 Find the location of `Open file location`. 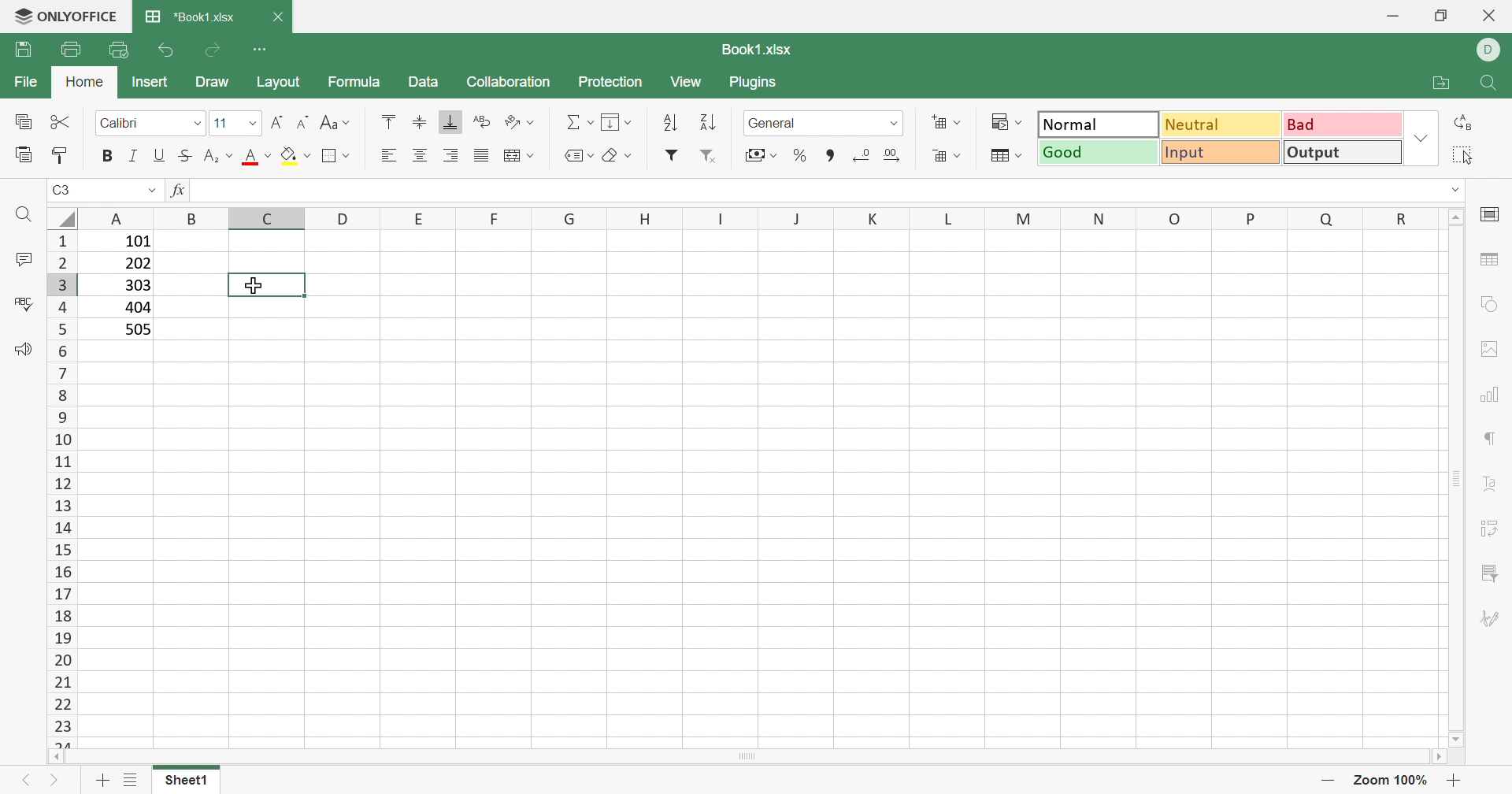

Open file location is located at coordinates (1433, 82).